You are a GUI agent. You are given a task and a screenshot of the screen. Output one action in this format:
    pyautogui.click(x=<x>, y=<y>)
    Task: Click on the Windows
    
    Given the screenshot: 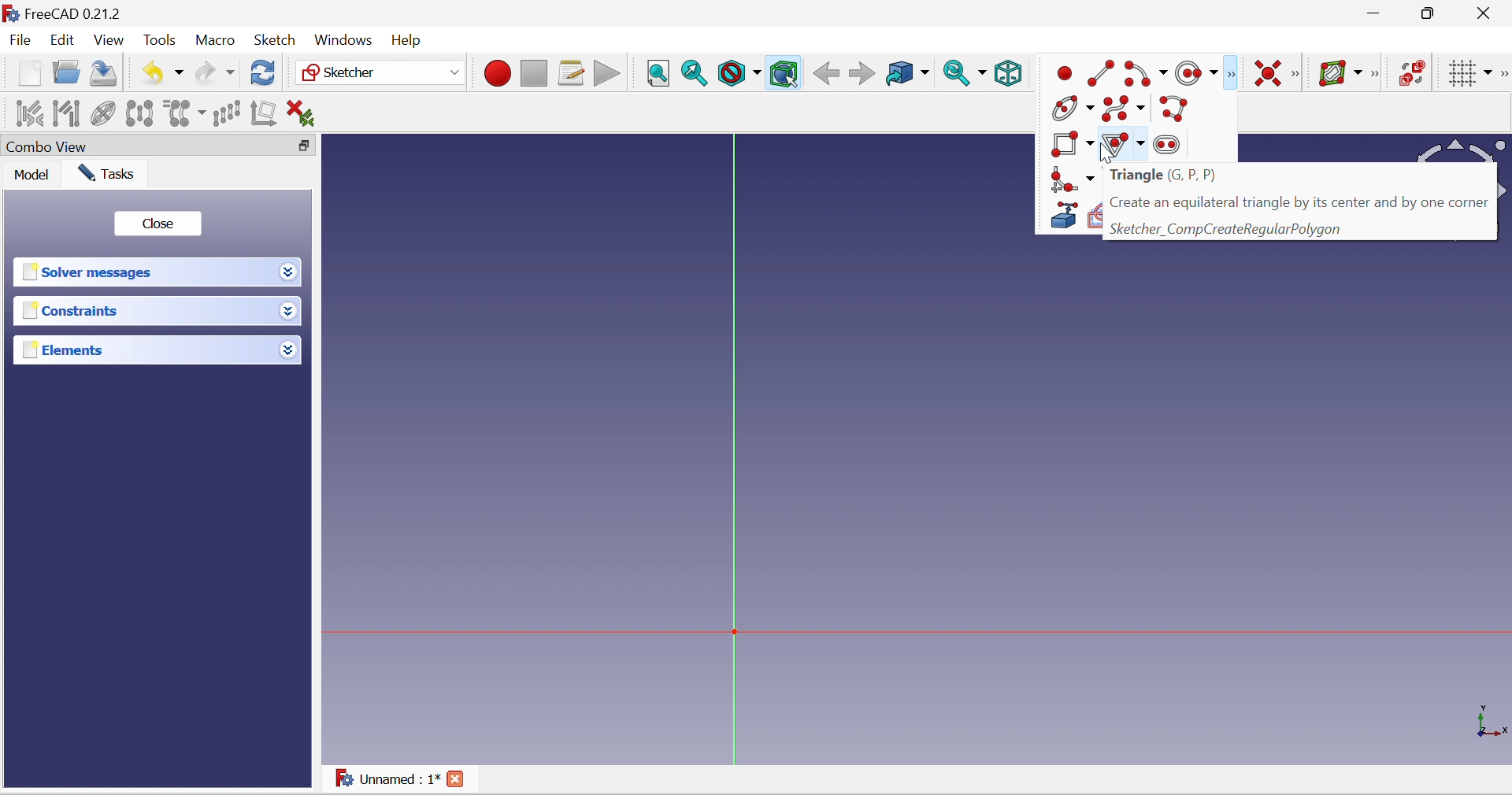 What is the action you would take?
    pyautogui.click(x=344, y=39)
    